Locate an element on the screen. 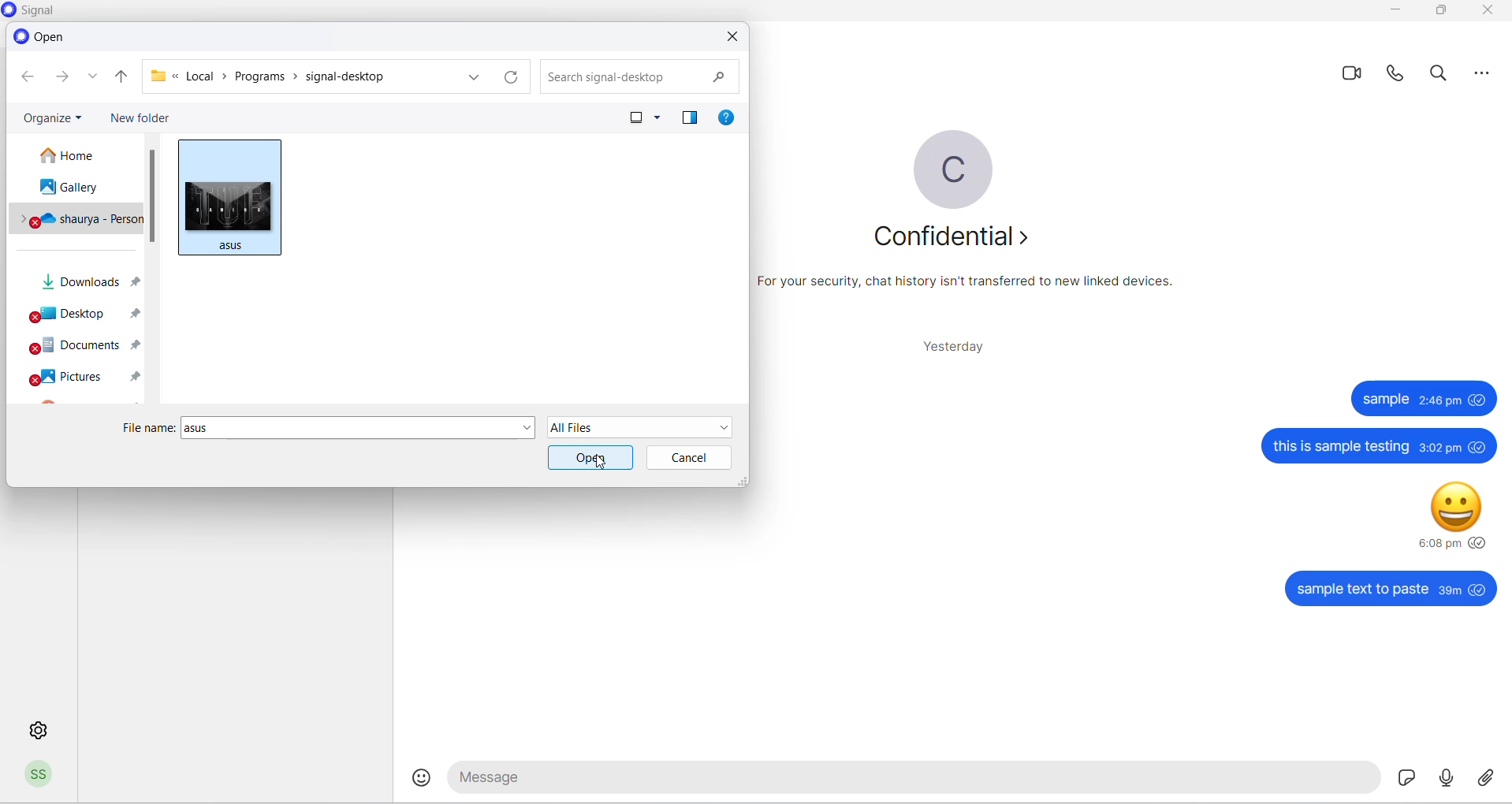 This screenshot has width=1512, height=804. file name dropdown button is located at coordinates (526, 429).